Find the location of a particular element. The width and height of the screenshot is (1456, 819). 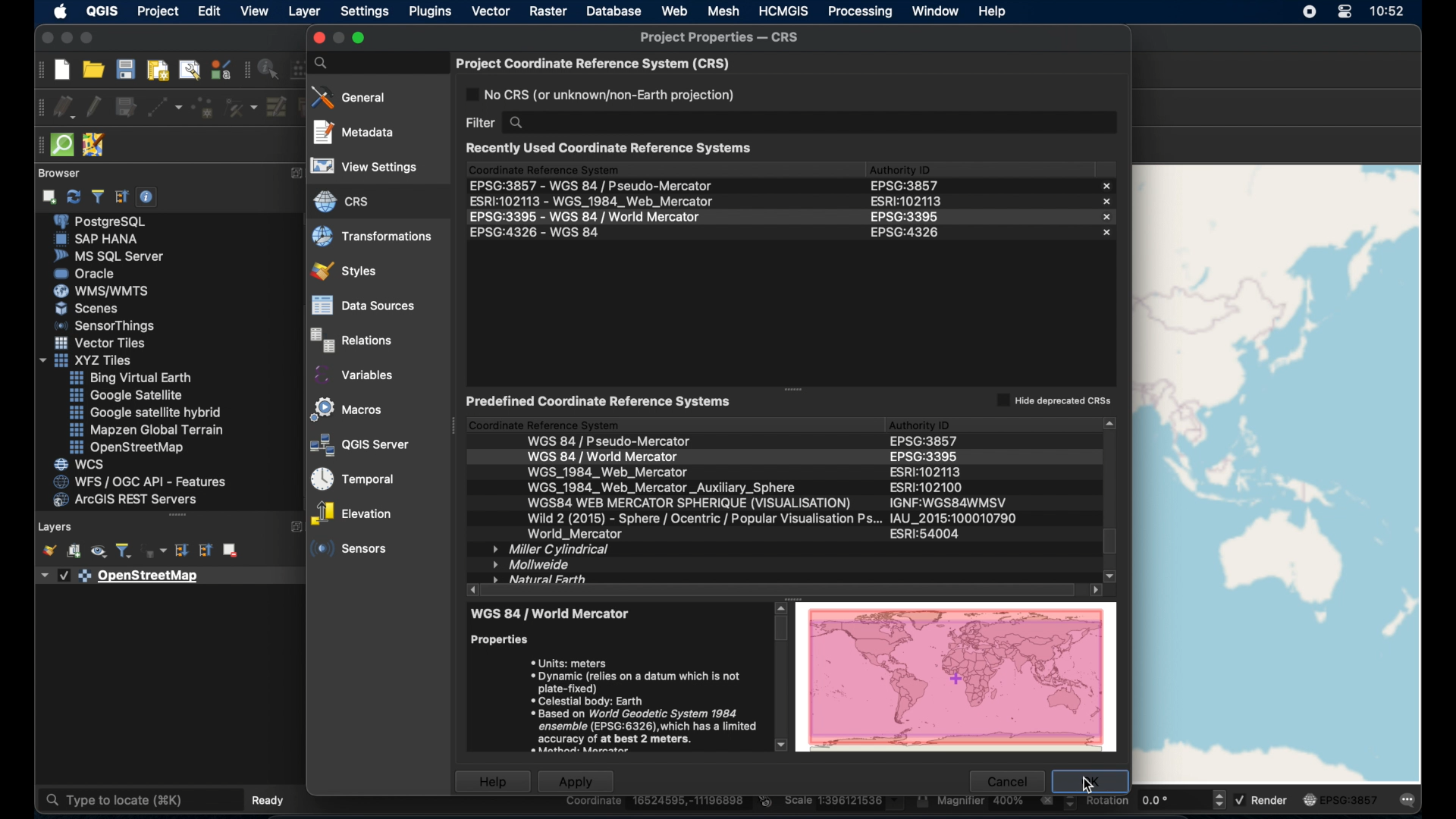

elevation is located at coordinates (350, 515).